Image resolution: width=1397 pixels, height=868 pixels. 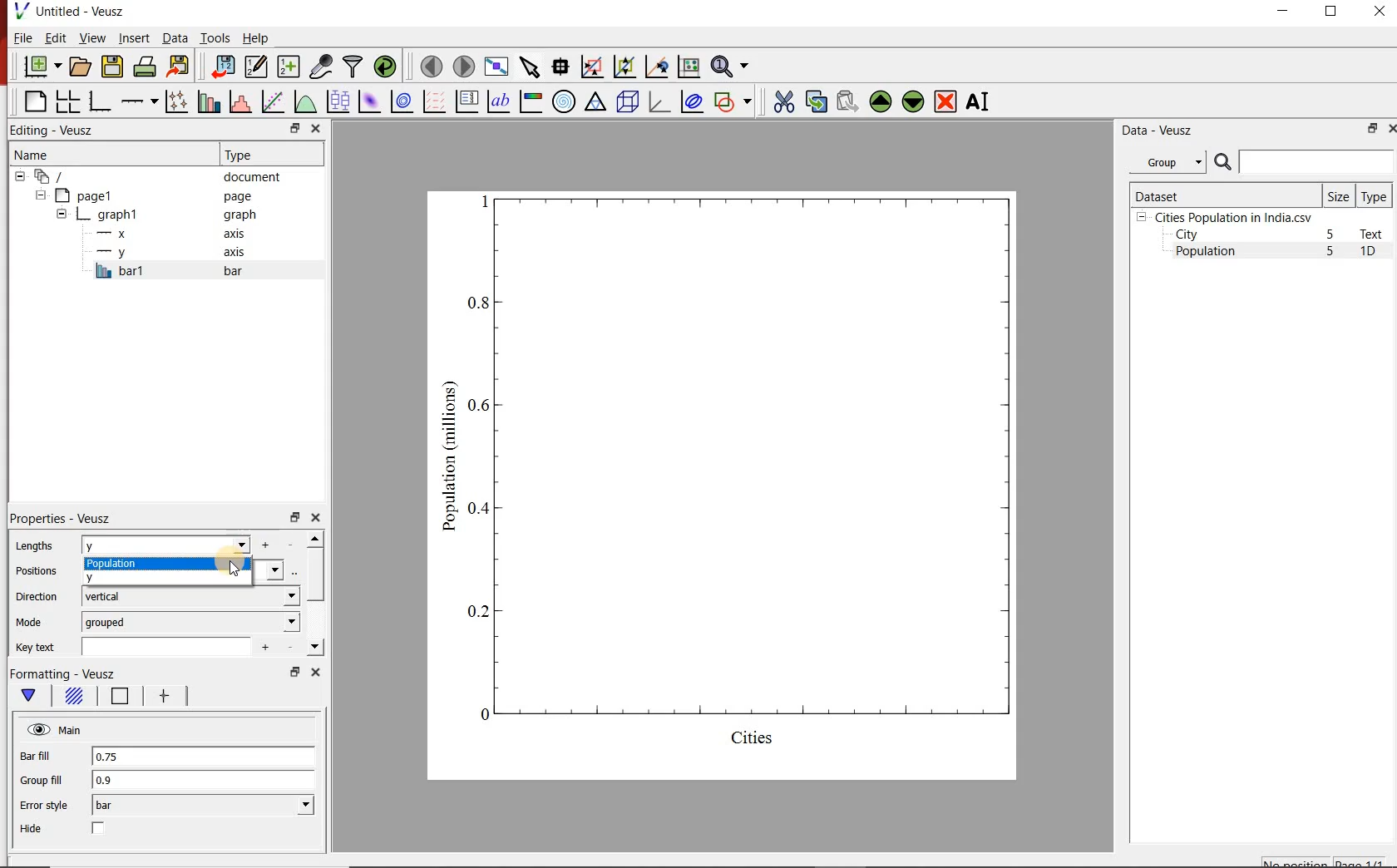 I want to click on plot covariance ellipses, so click(x=692, y=102).